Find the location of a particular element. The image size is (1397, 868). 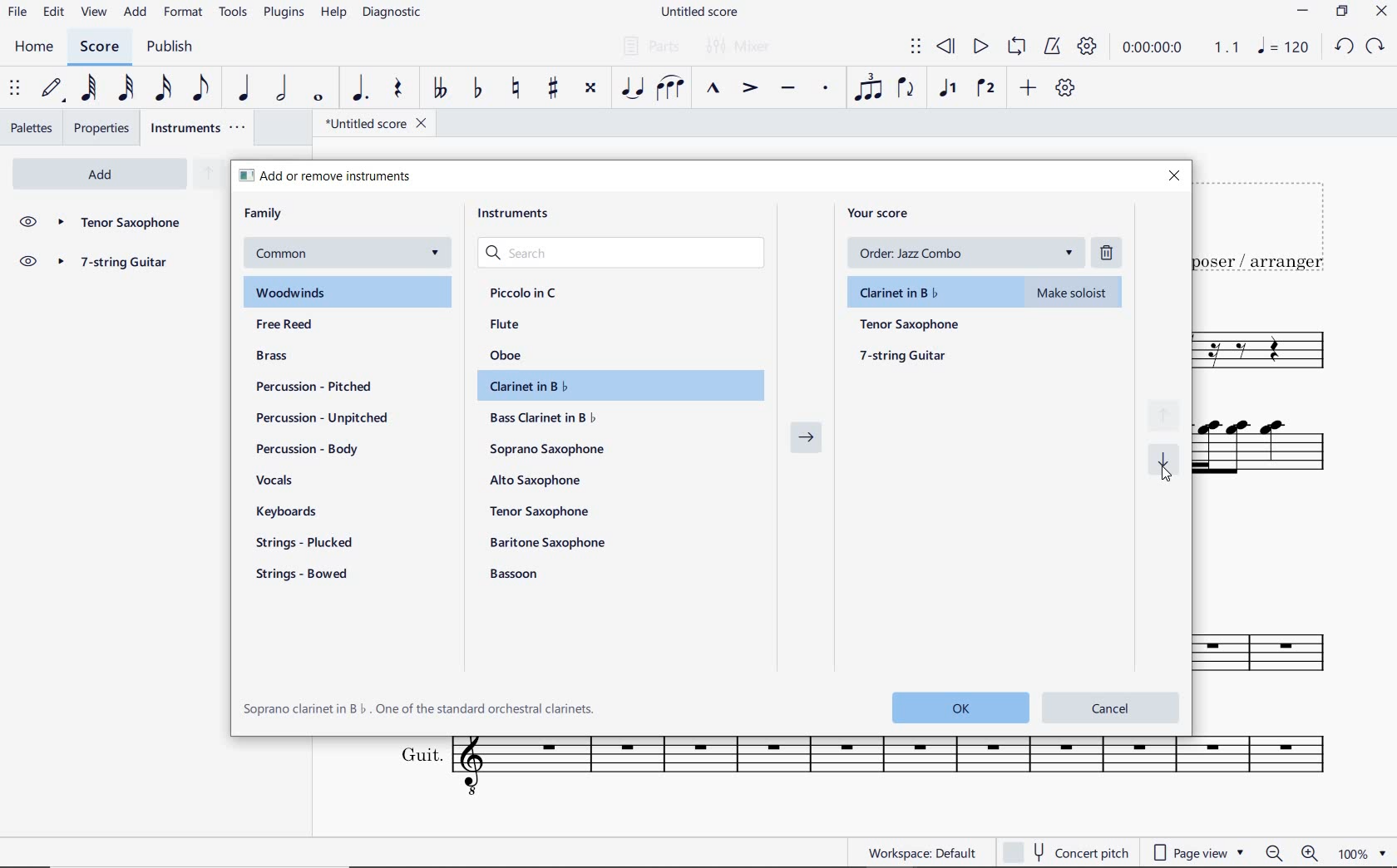

your score is located at coordinates (884, 213).